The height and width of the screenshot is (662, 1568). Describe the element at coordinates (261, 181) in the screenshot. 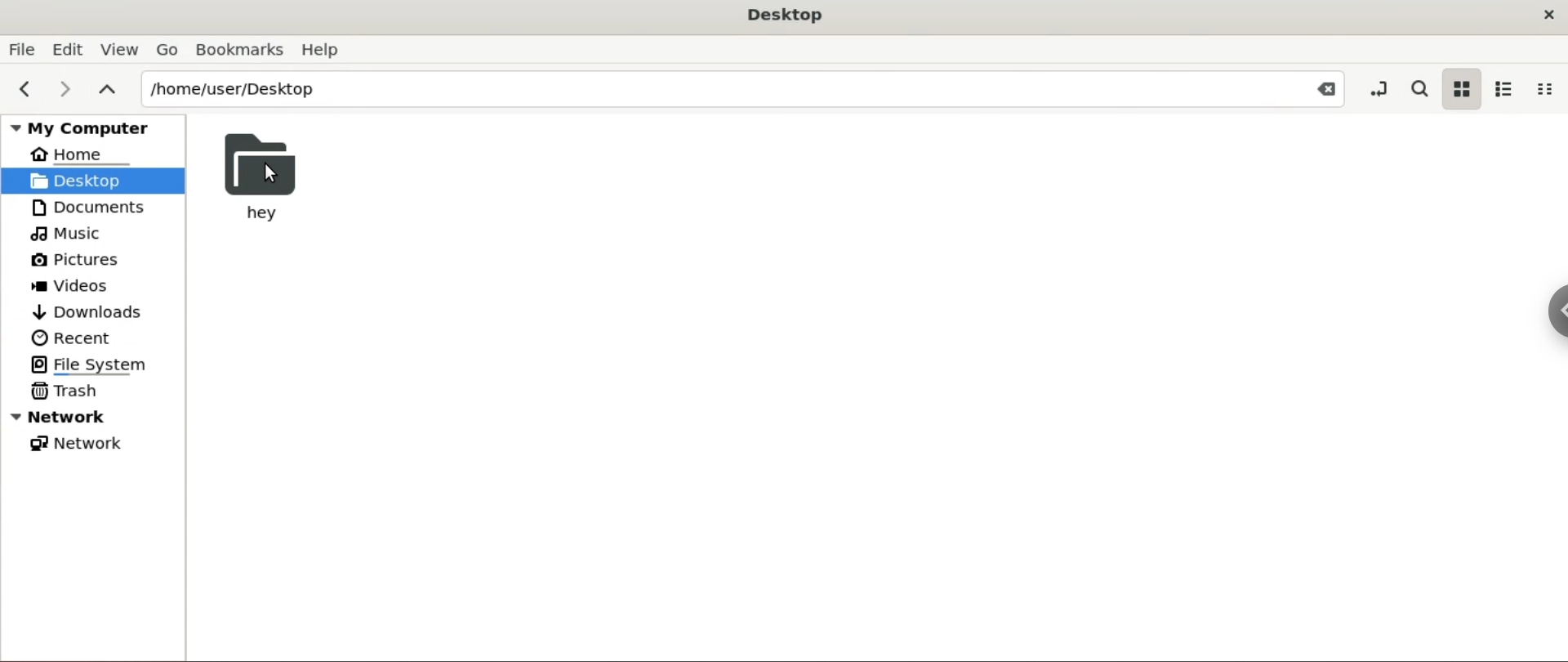

I see `hey` at that location.